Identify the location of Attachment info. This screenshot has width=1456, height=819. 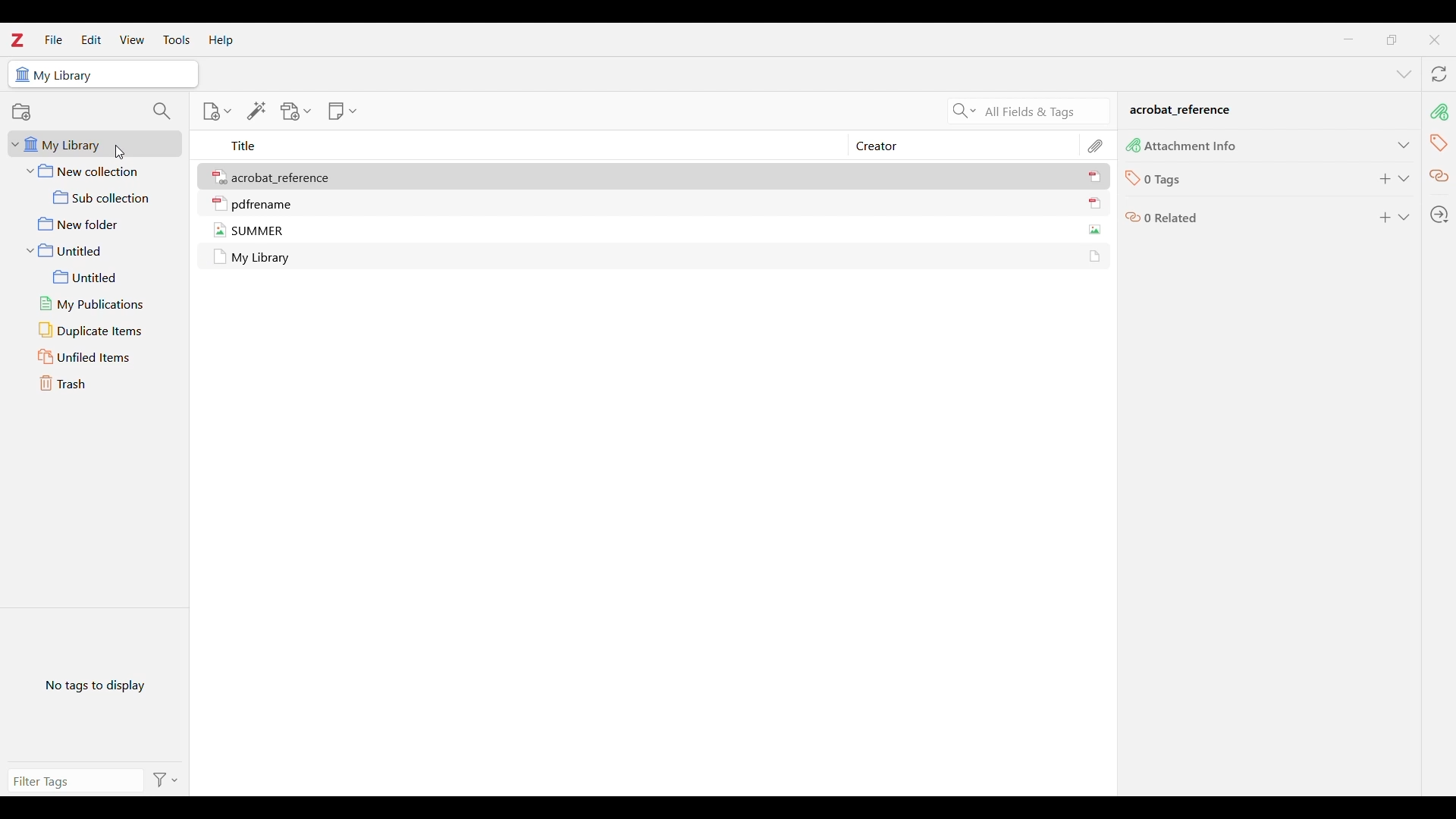
(1439, 112).